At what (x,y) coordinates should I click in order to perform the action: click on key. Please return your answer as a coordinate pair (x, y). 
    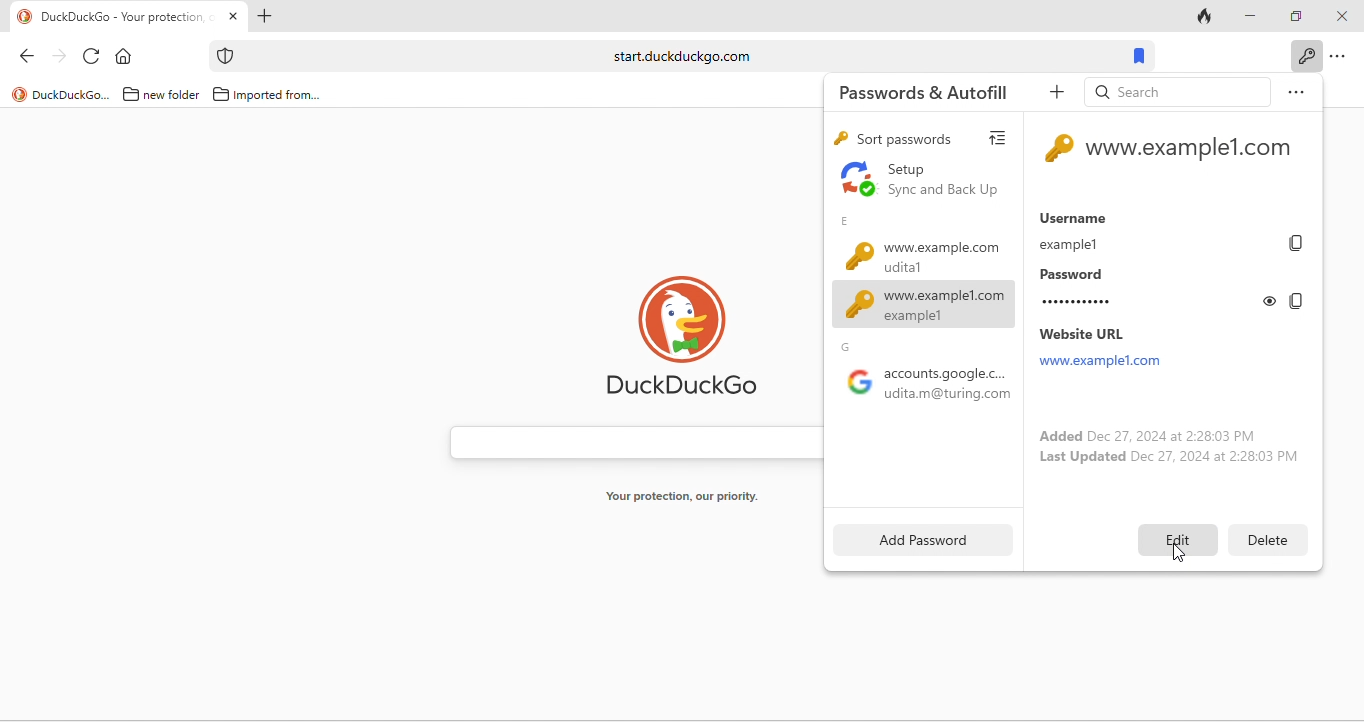
    Looking at the image, I should click on (839, 140).